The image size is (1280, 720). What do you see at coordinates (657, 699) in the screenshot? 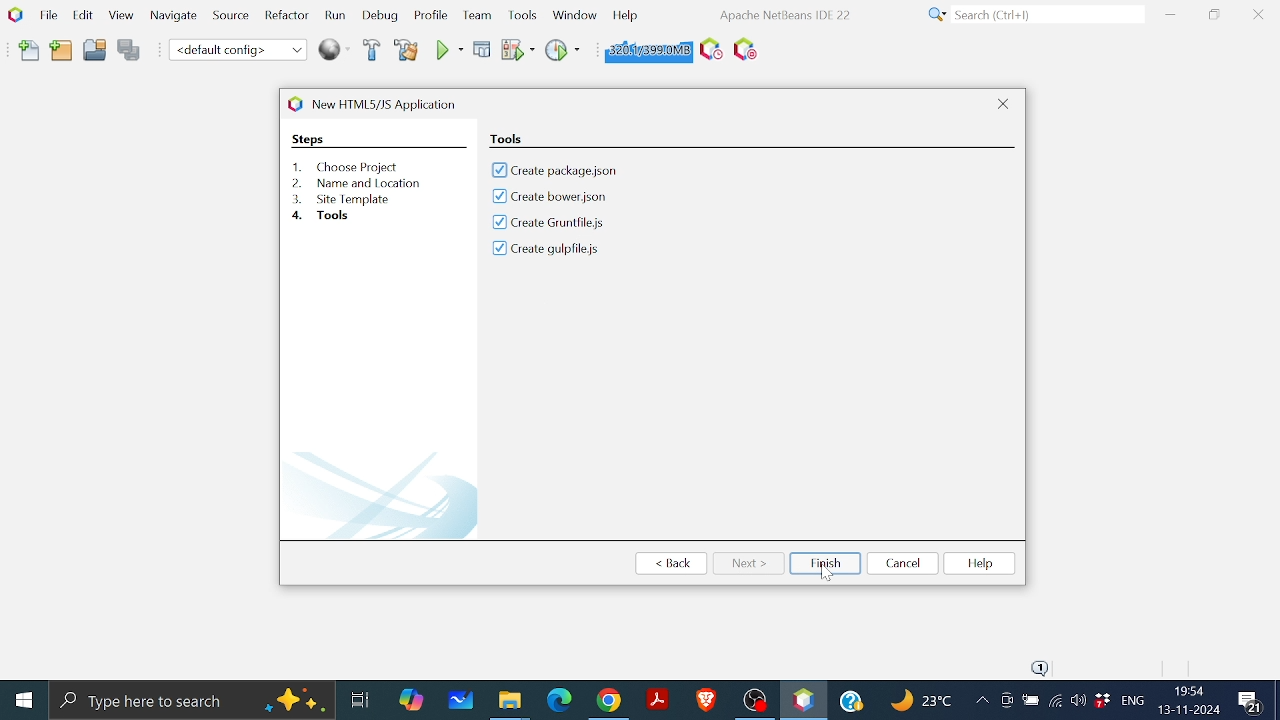
I see `Adobe reader` at bounding box center [657, 699].